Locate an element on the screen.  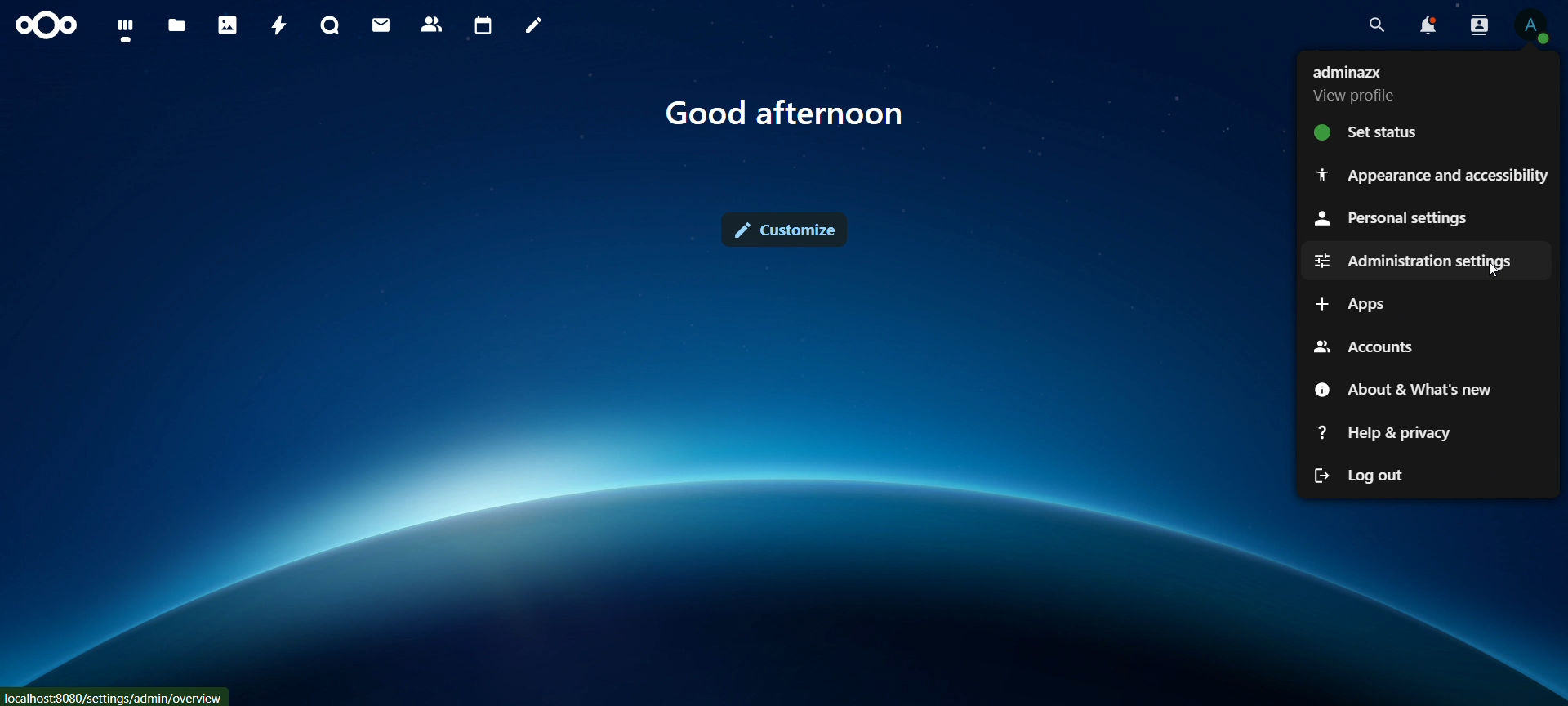
files is located at coordinates (176, 25).